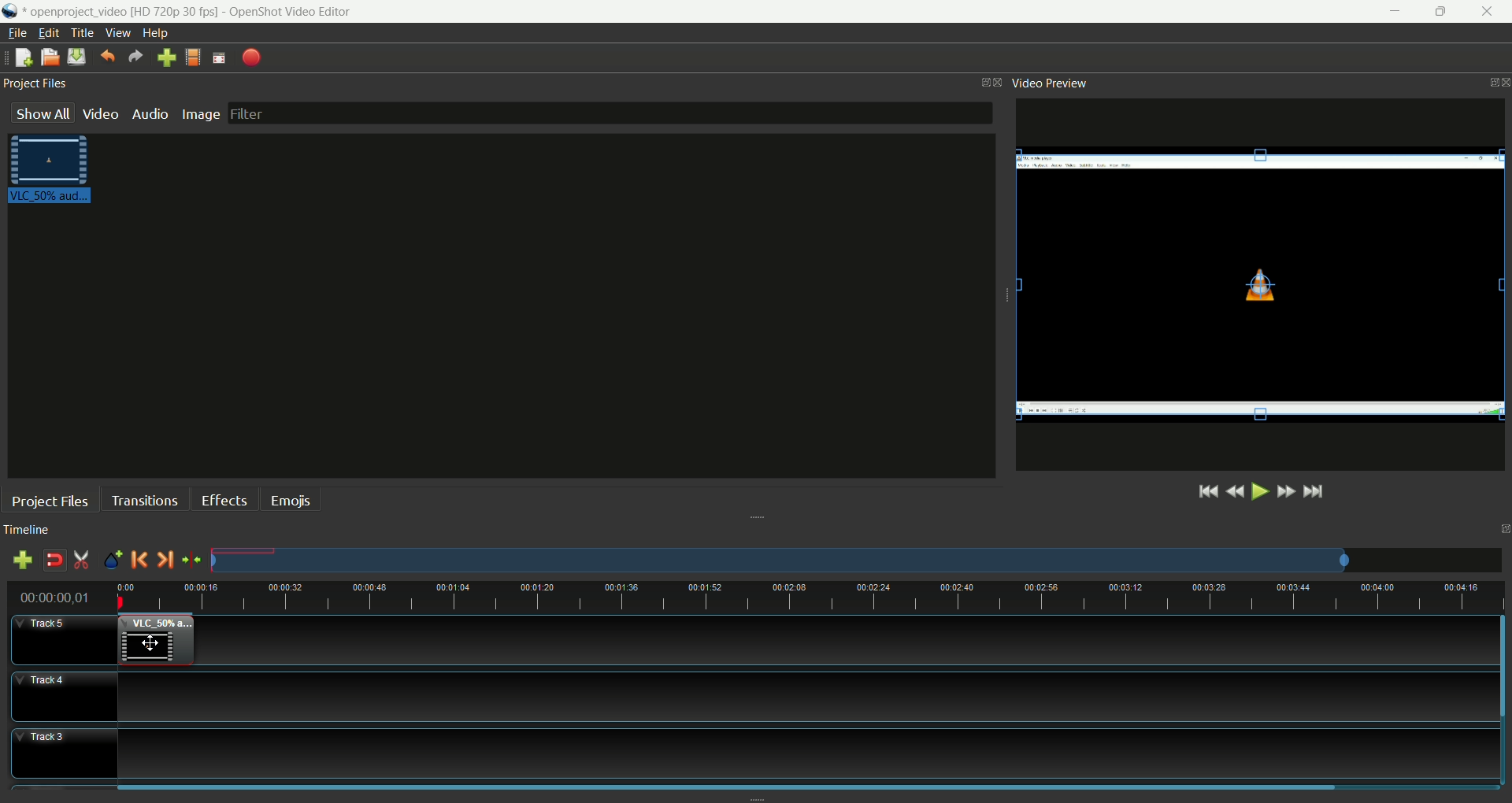 The image size is (1512, 803). I want to click on save project, so click(74, 57).